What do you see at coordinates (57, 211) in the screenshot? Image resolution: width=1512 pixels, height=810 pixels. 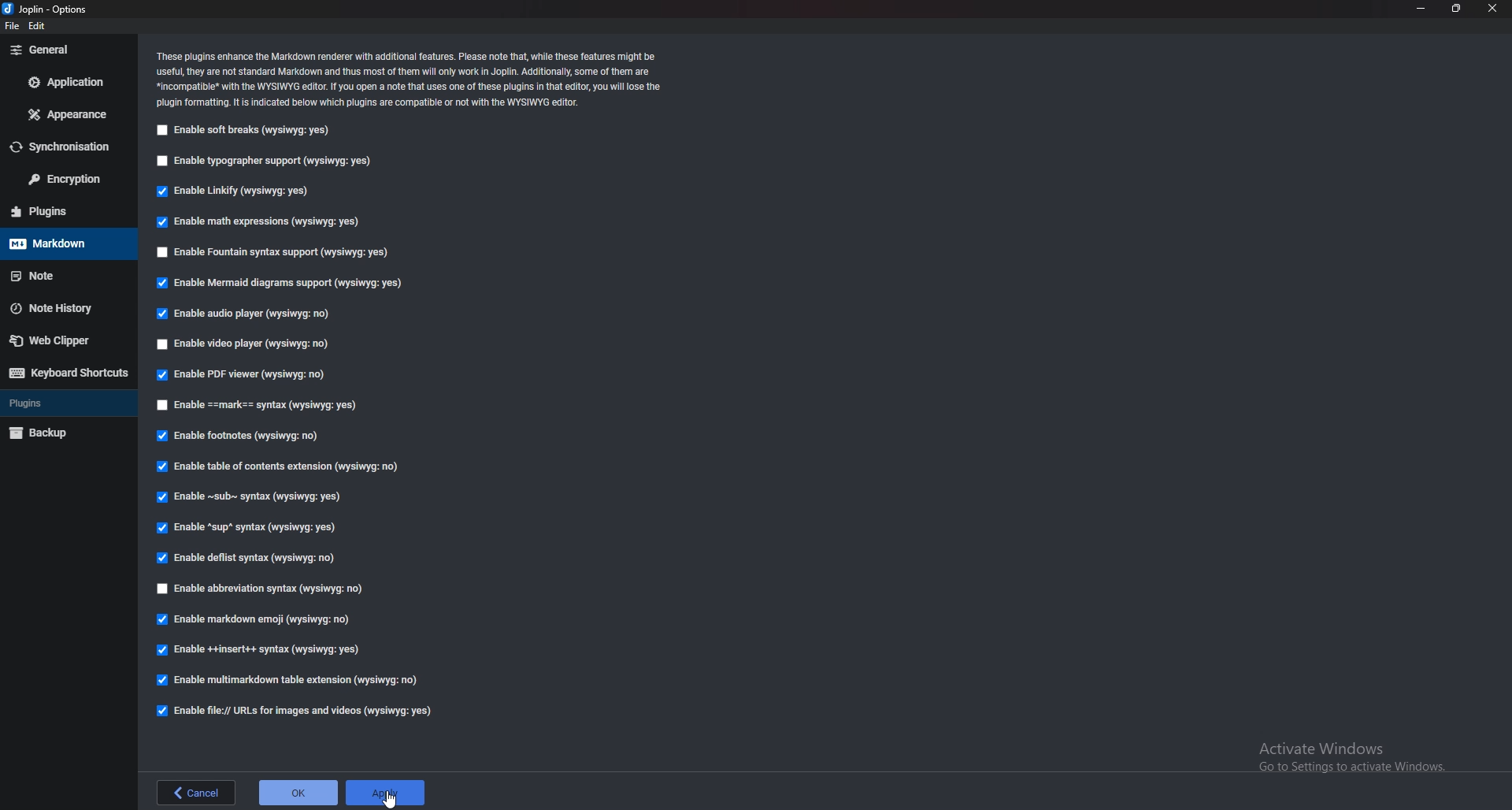 I see `plugins` at bounding box center [57, 211].